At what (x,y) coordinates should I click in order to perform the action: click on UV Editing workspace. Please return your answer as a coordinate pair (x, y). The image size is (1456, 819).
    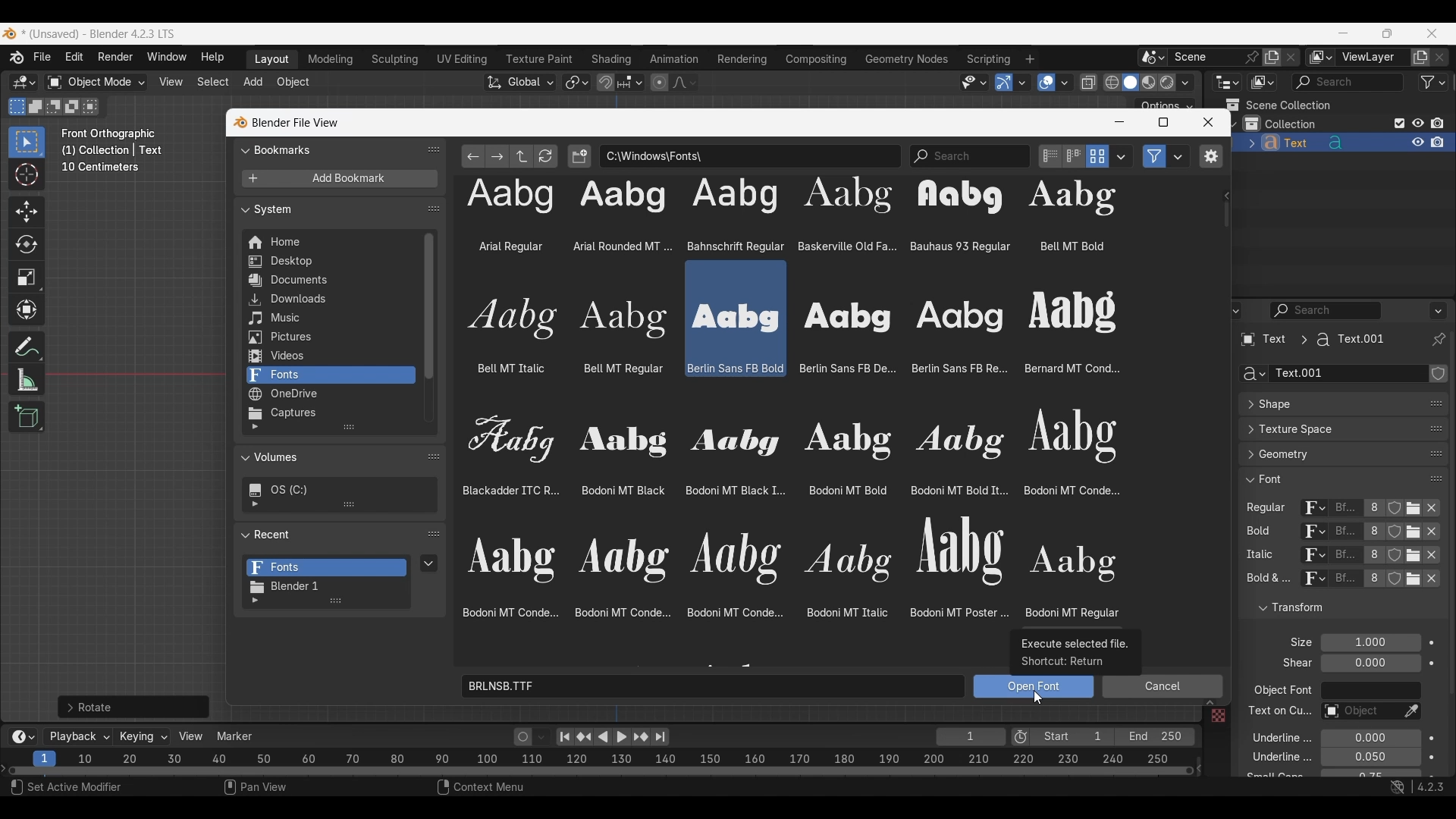
    Looking at the image, I should click on (463, 59).